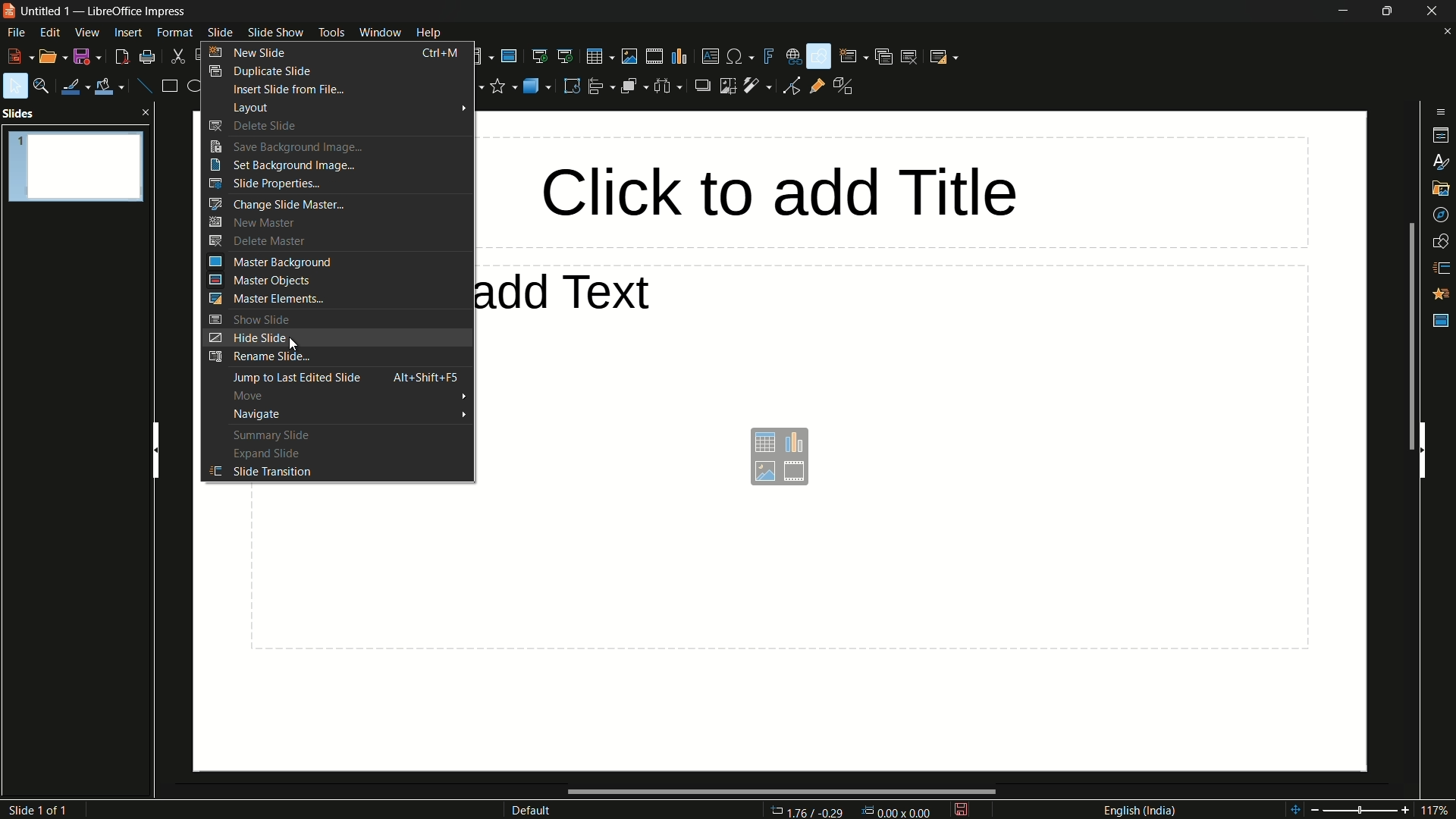 The image size is (1456, 819). What do you see at coordinates (347, 378) in the screenshot?
I see `jump to last edited slide` at bounding box center [347, 378].